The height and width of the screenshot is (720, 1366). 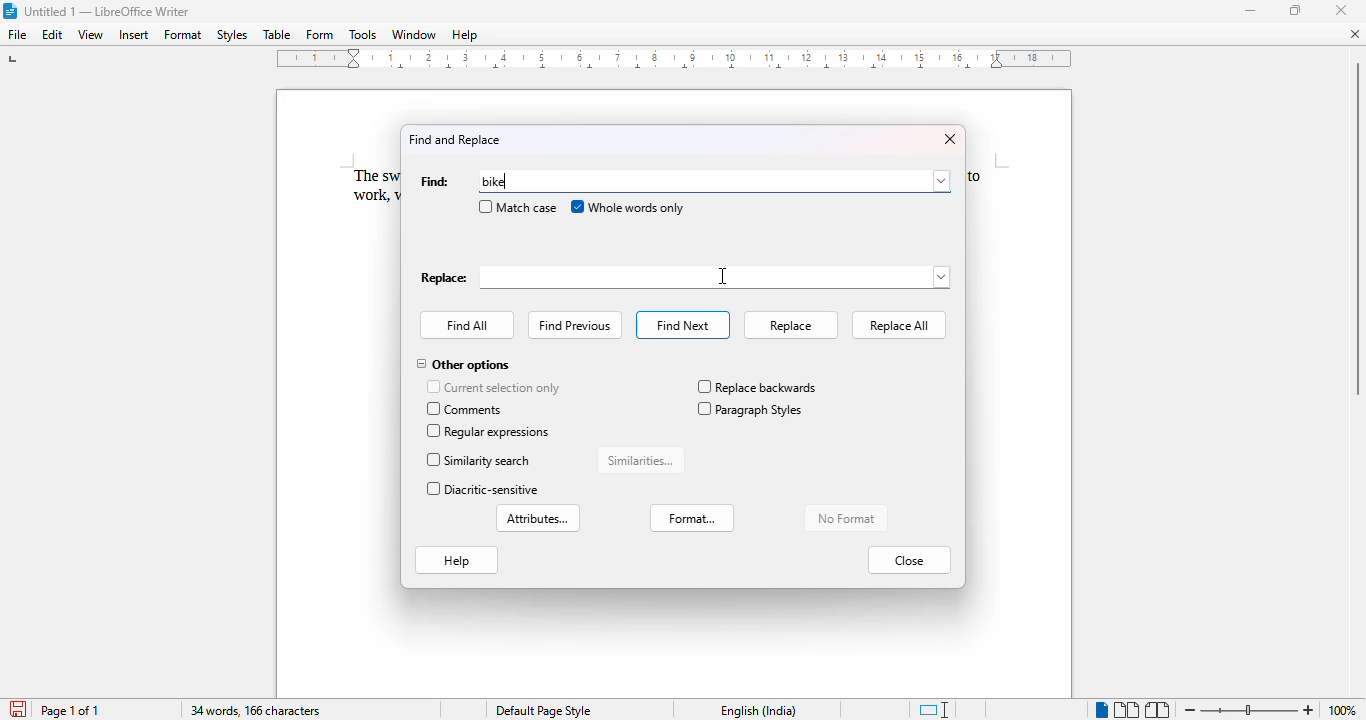 I want to click on current selection only, so click(x=493, y=387).